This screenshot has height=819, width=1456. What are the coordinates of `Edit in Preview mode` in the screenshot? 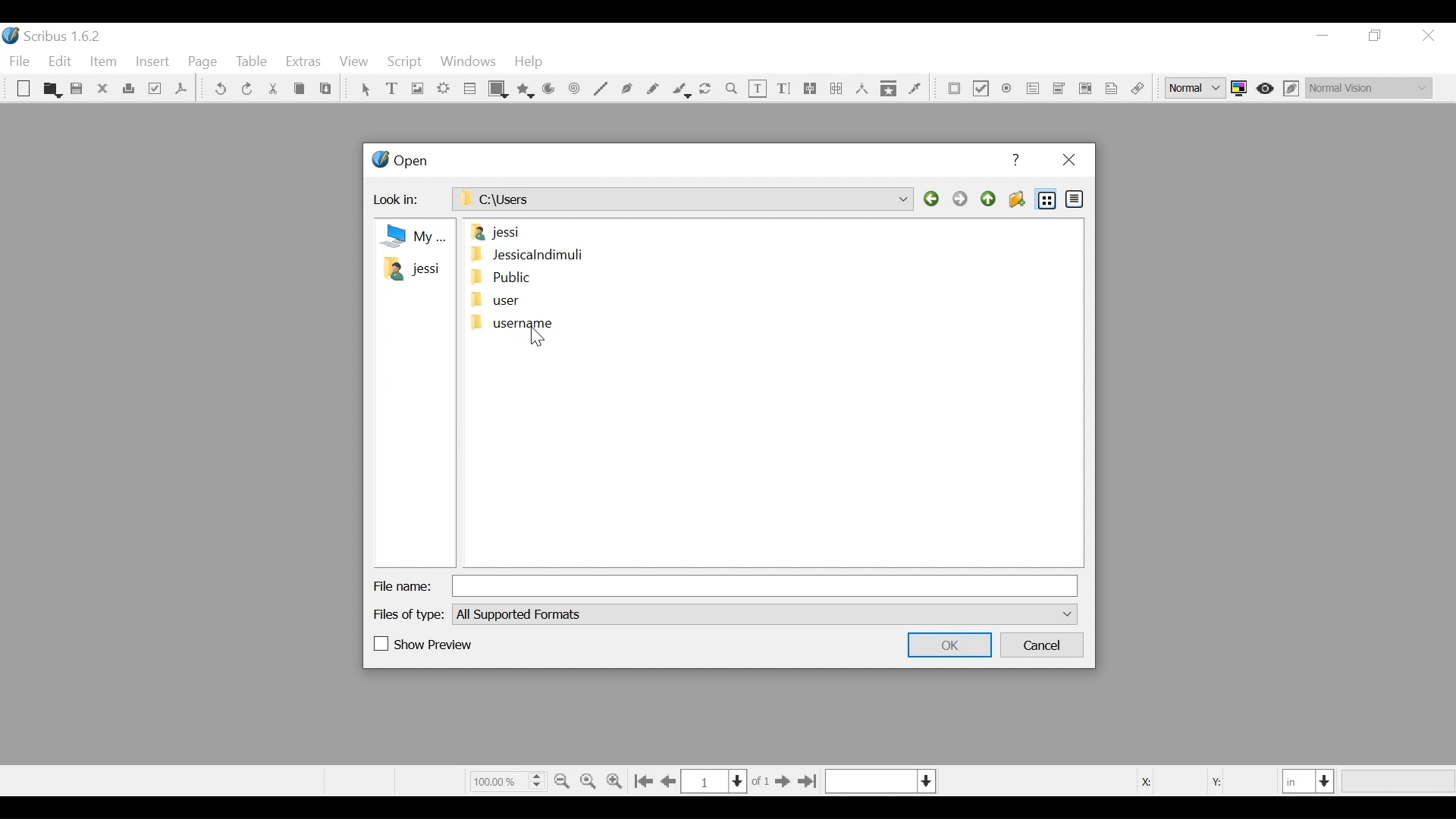 It's located at (1293, 88).